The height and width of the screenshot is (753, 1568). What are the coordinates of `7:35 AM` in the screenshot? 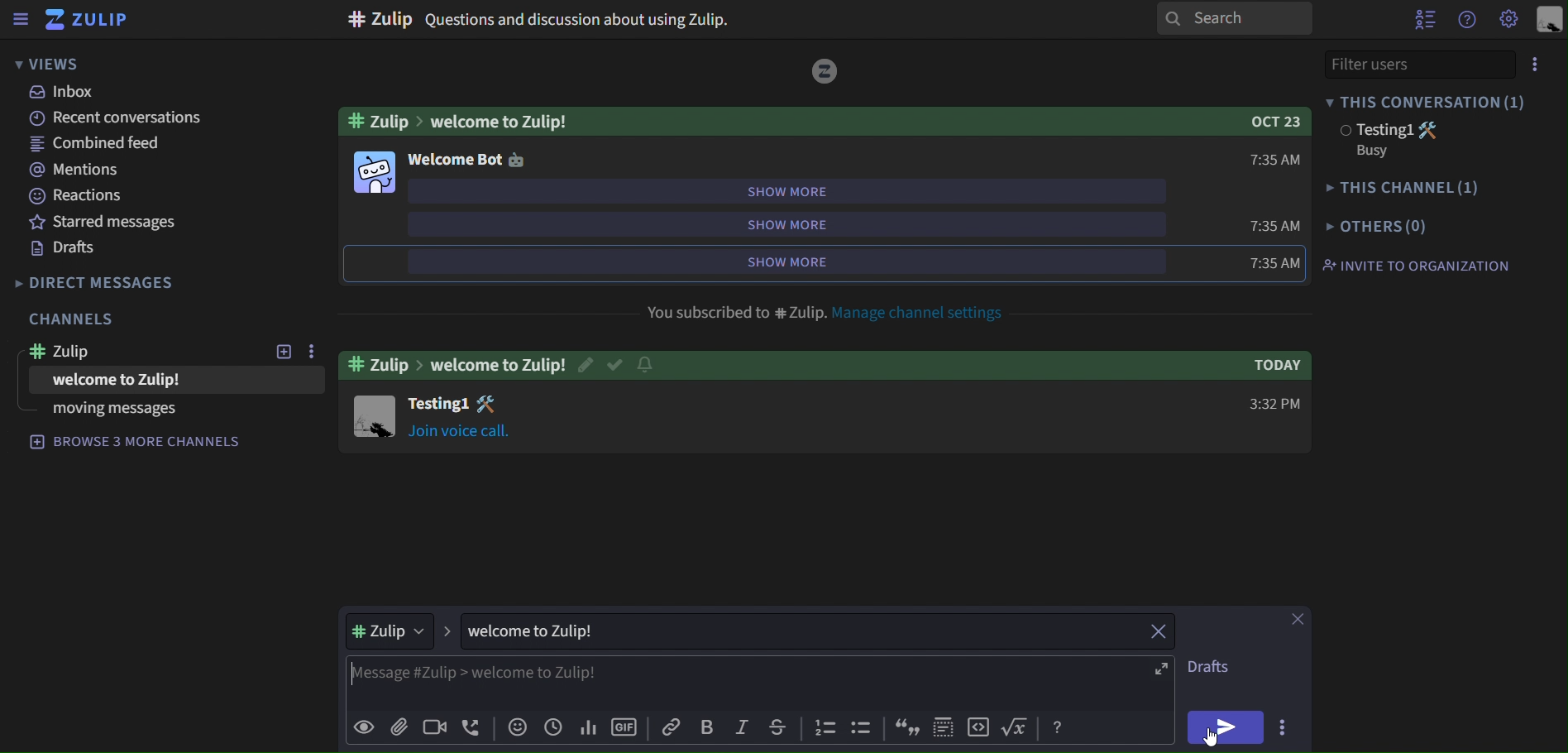 It's located at (1274, 242).